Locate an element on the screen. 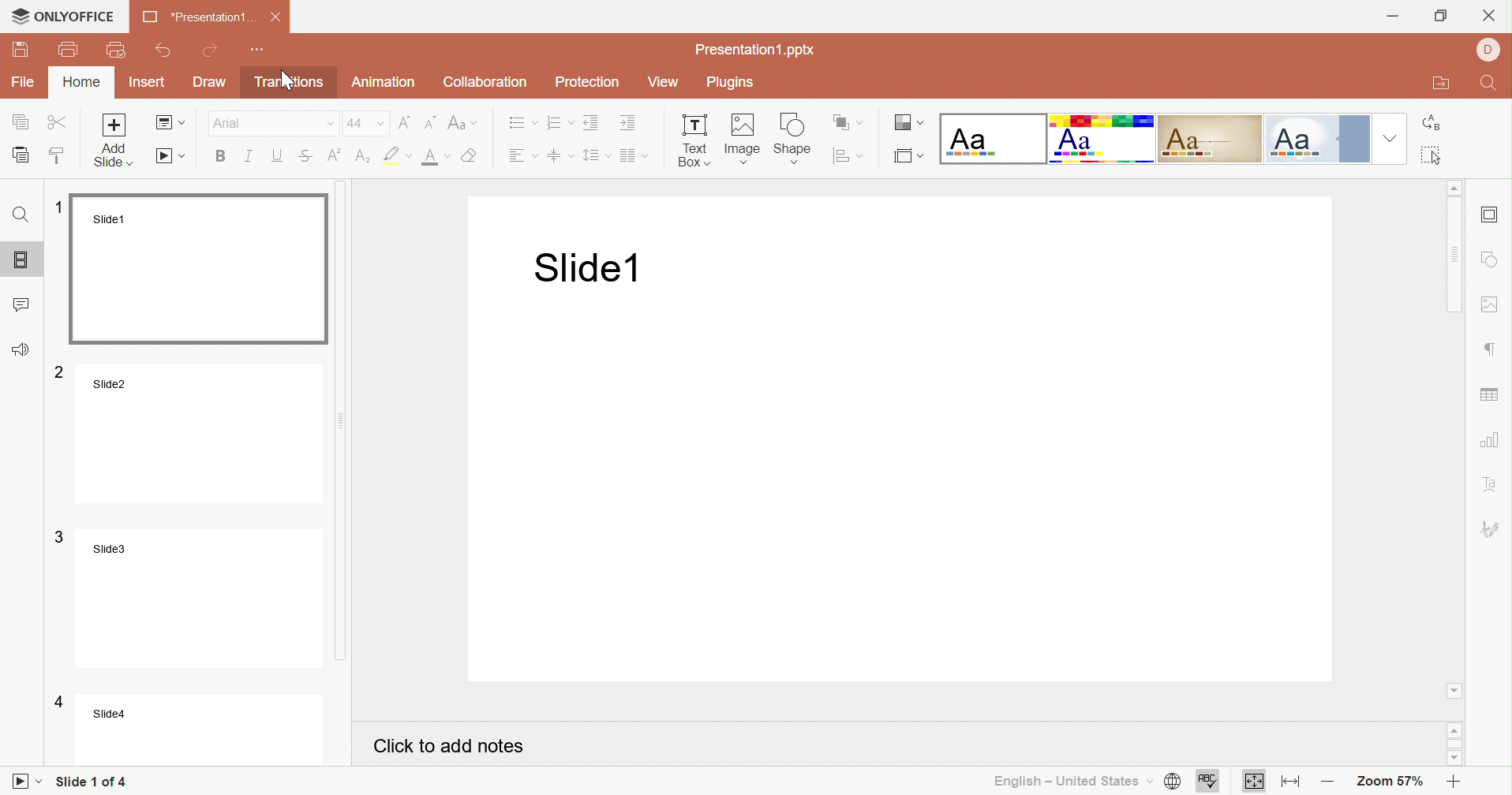 Image resolution: width=1512 pixels, height=795 pixels. Insert shape is located at coordinates (1491, 259).